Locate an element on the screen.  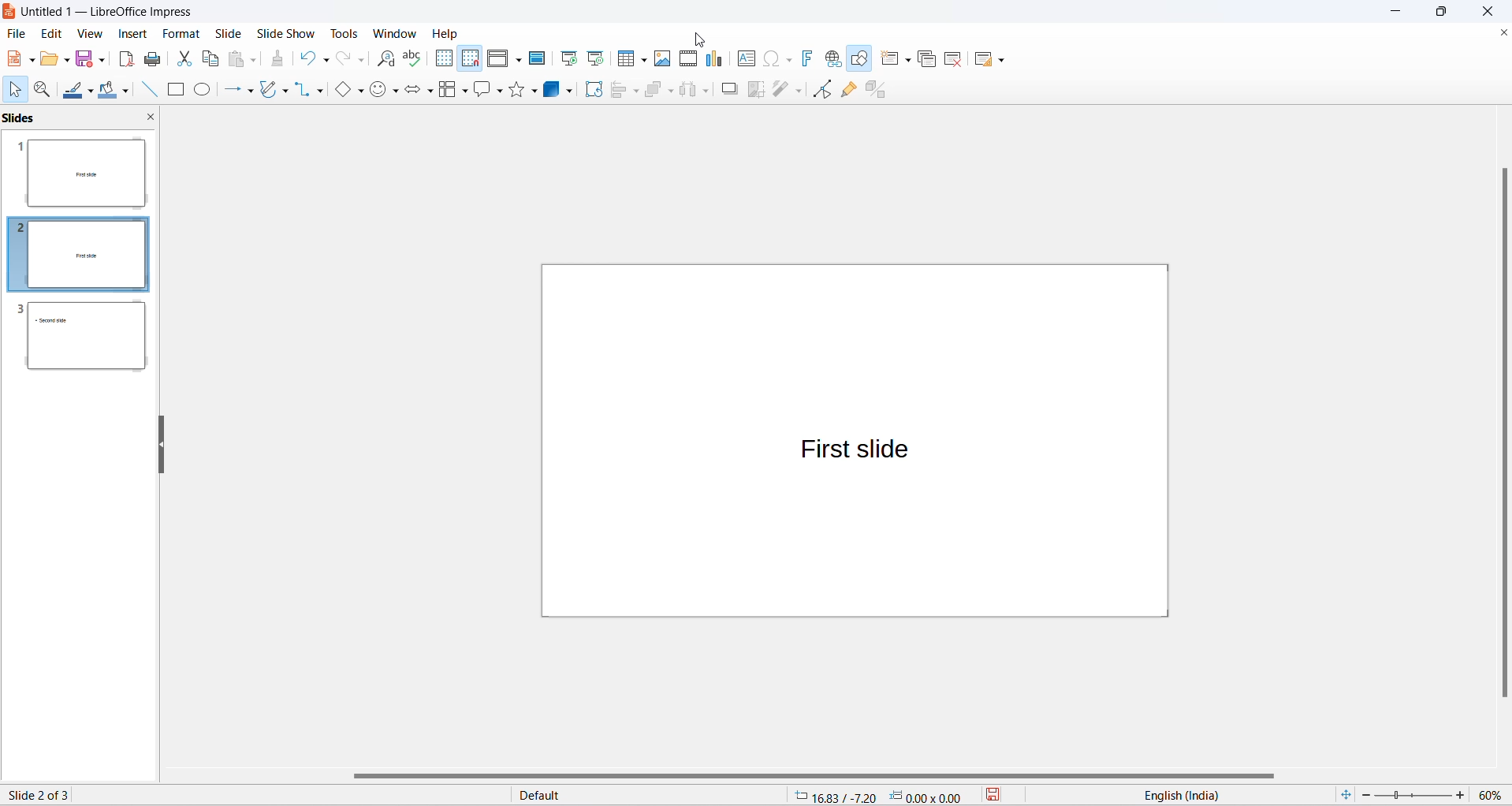
toggle extrusion is located at coordinates (888, 91).